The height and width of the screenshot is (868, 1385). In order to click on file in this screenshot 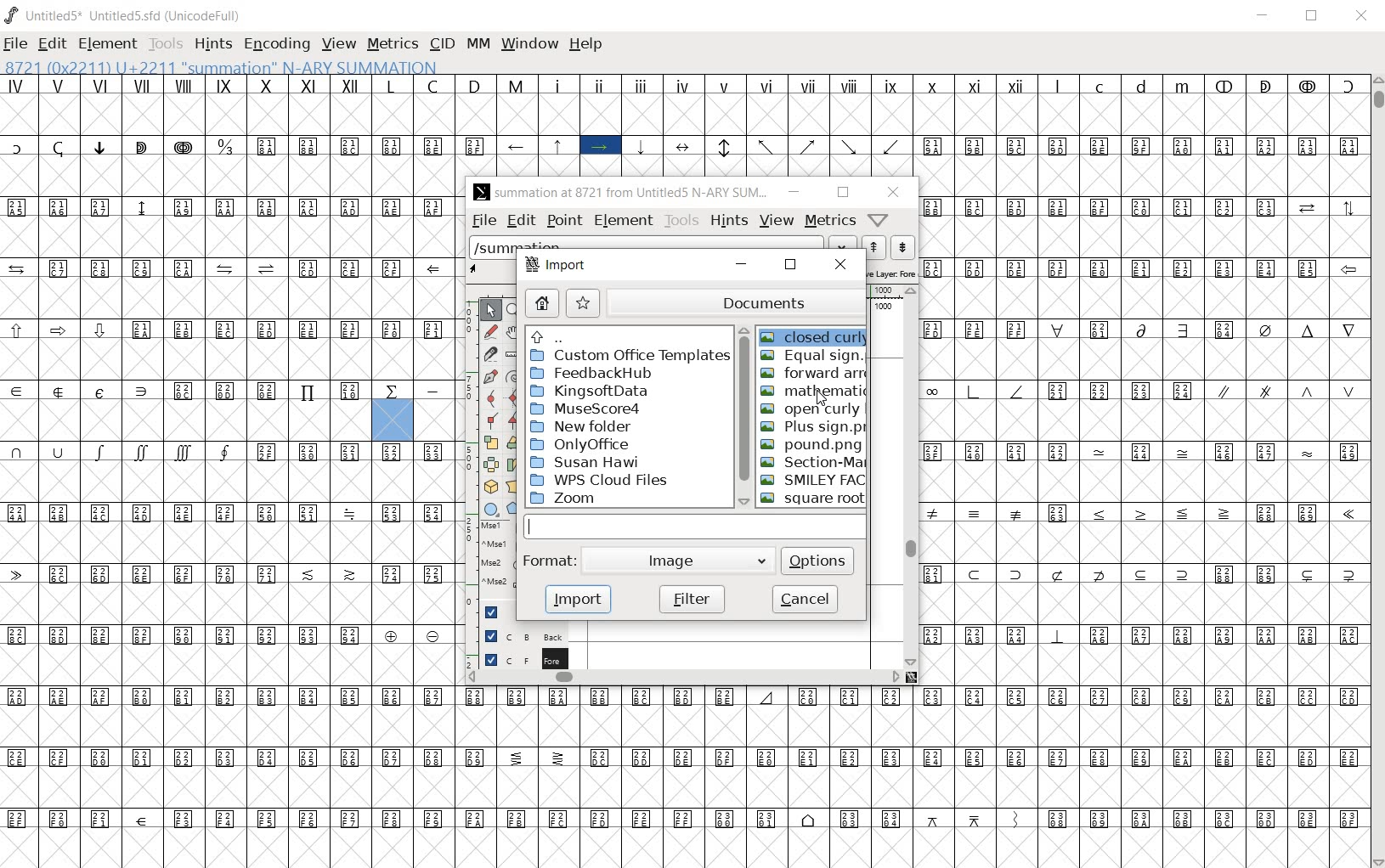, I will do `click(483, 220)`.